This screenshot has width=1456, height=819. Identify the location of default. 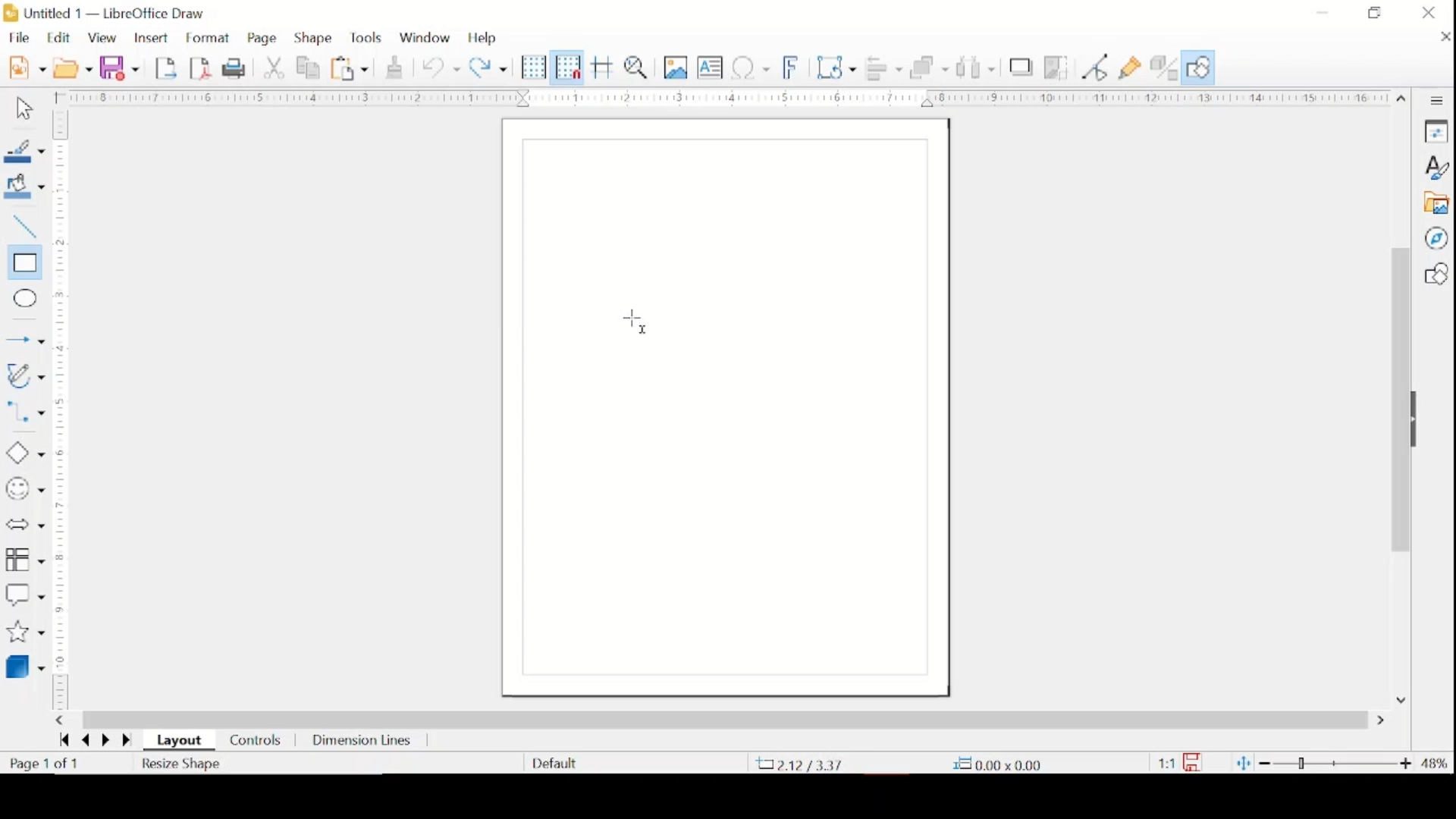
(554, 762).